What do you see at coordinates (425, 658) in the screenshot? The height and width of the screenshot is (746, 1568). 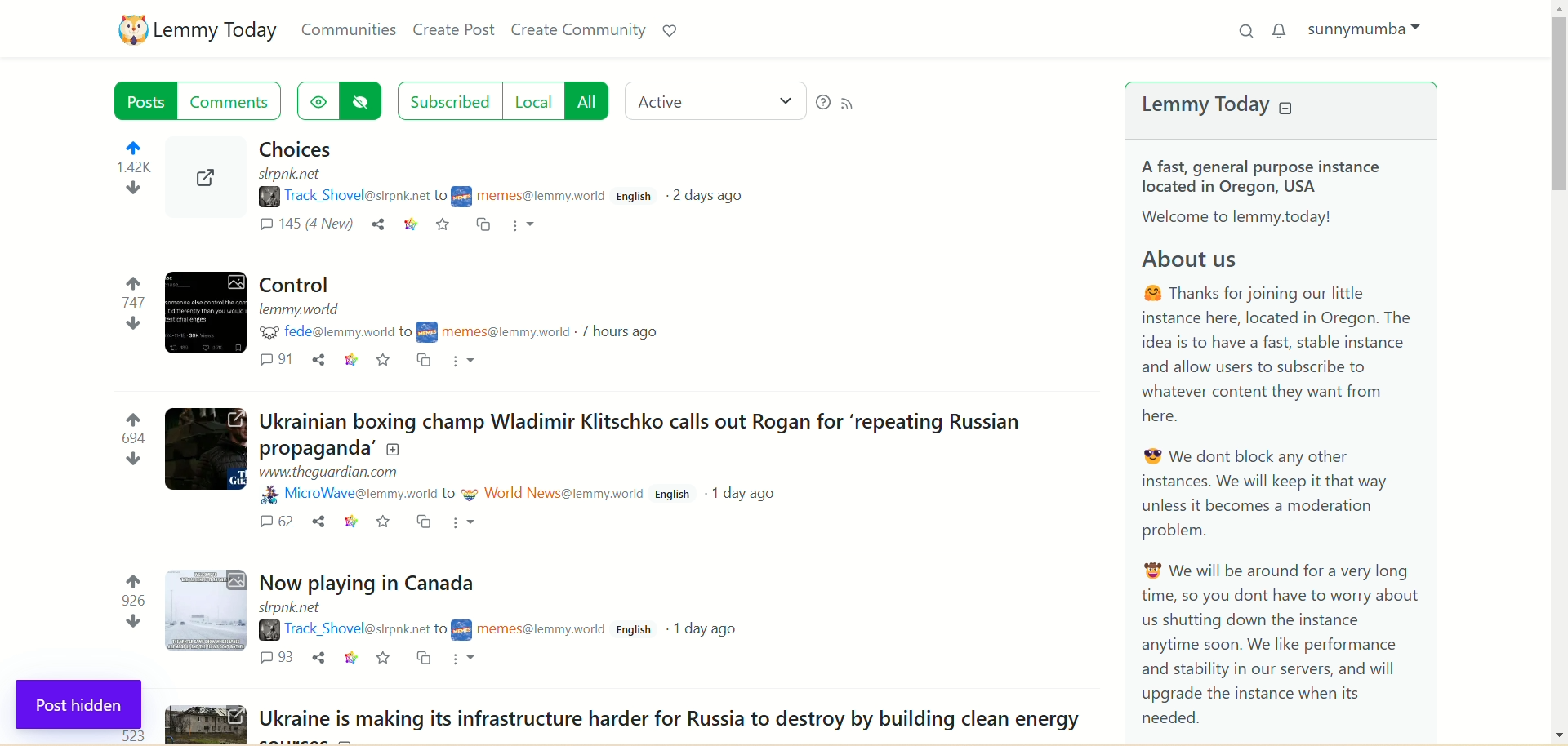 I see `cross post` at bounding box center [425, 658].